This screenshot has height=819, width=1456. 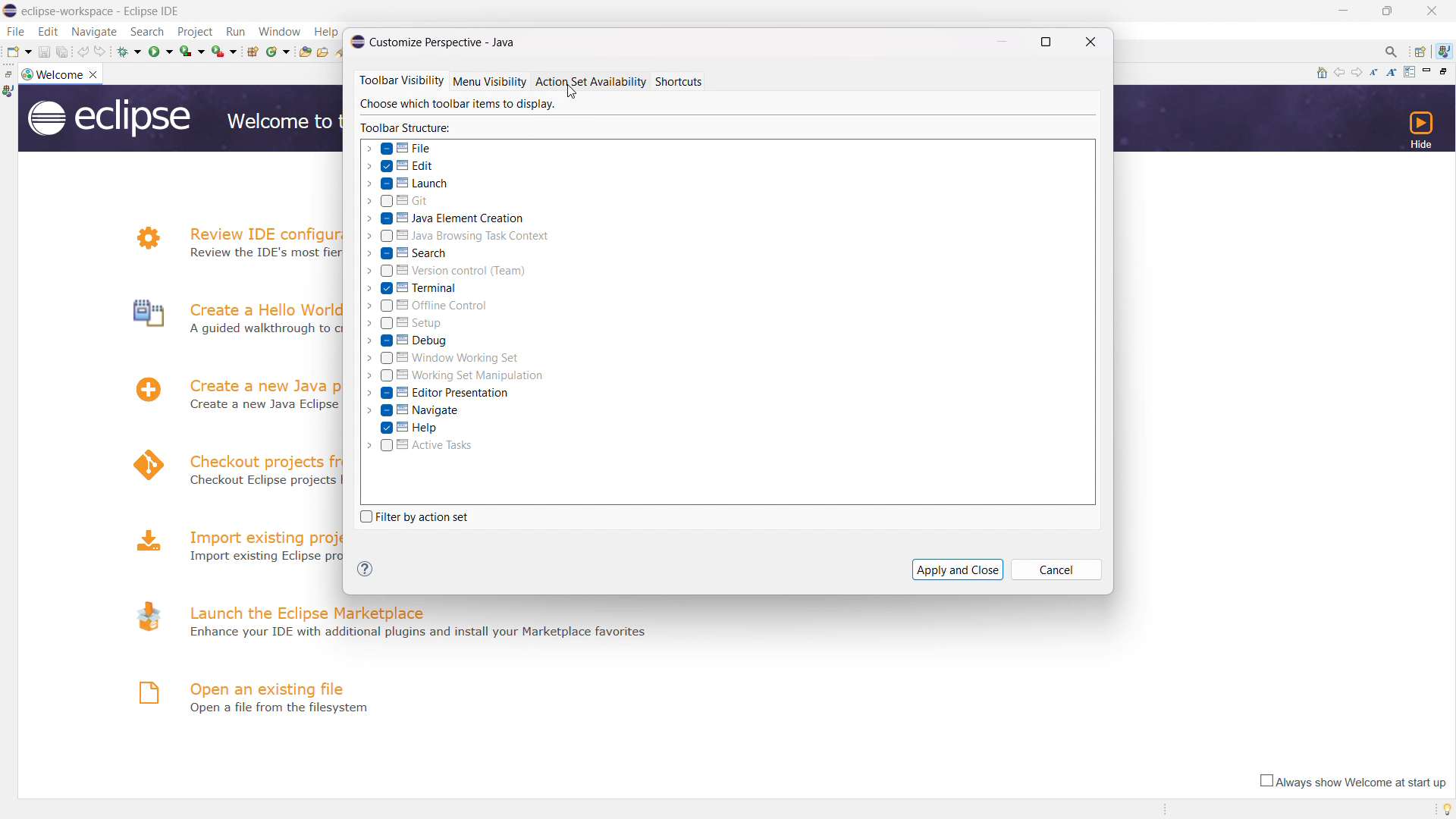 What do you see at coordinates (1320, 73) in the screenshot?
I see `home` at bounding box center [1320, 73].